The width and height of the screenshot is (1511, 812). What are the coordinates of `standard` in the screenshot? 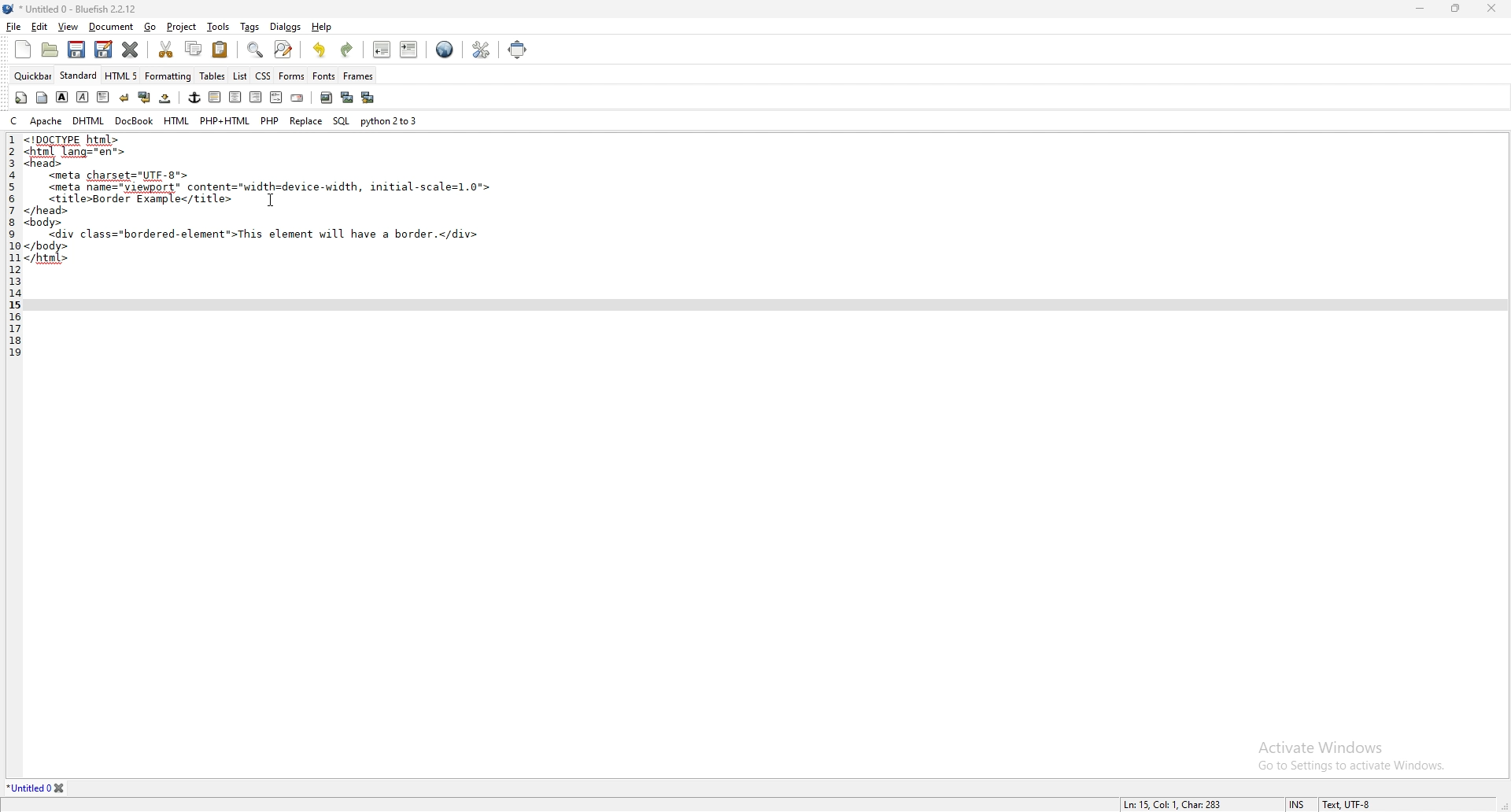 It's located at (79, 75).